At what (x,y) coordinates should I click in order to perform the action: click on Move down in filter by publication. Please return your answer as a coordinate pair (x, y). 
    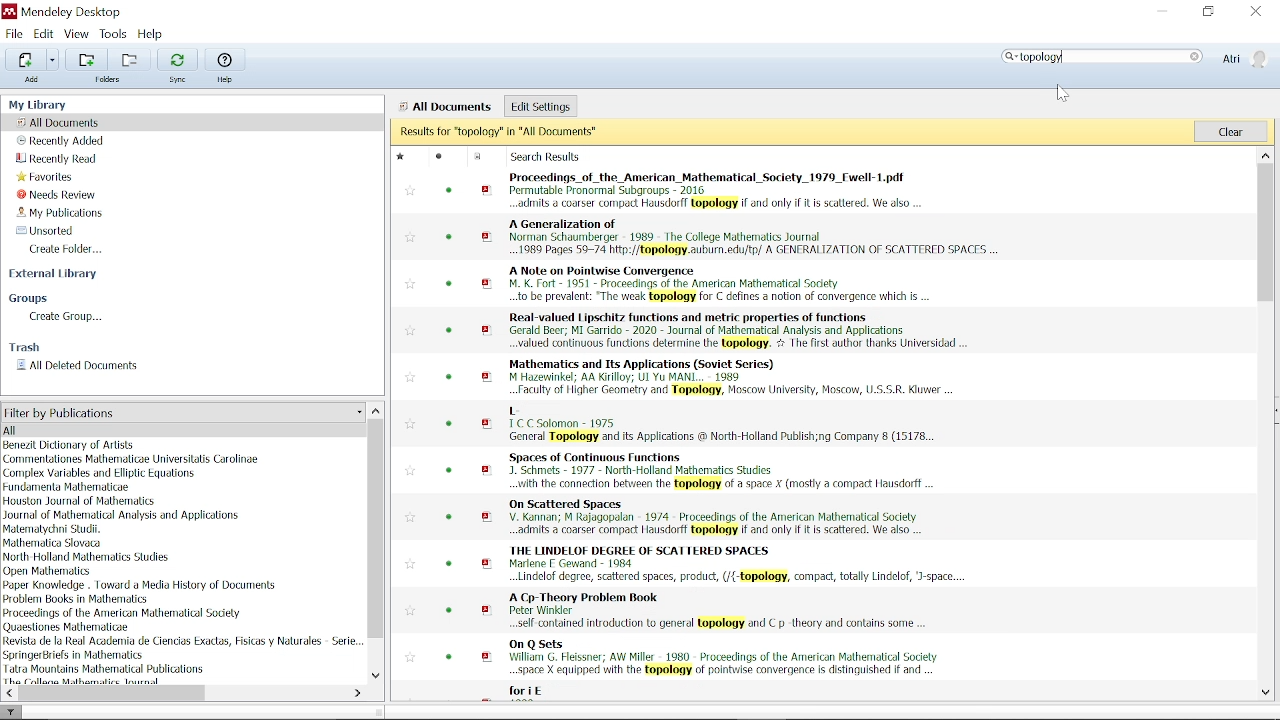
    Looking at the image, I should click on (376, 677).